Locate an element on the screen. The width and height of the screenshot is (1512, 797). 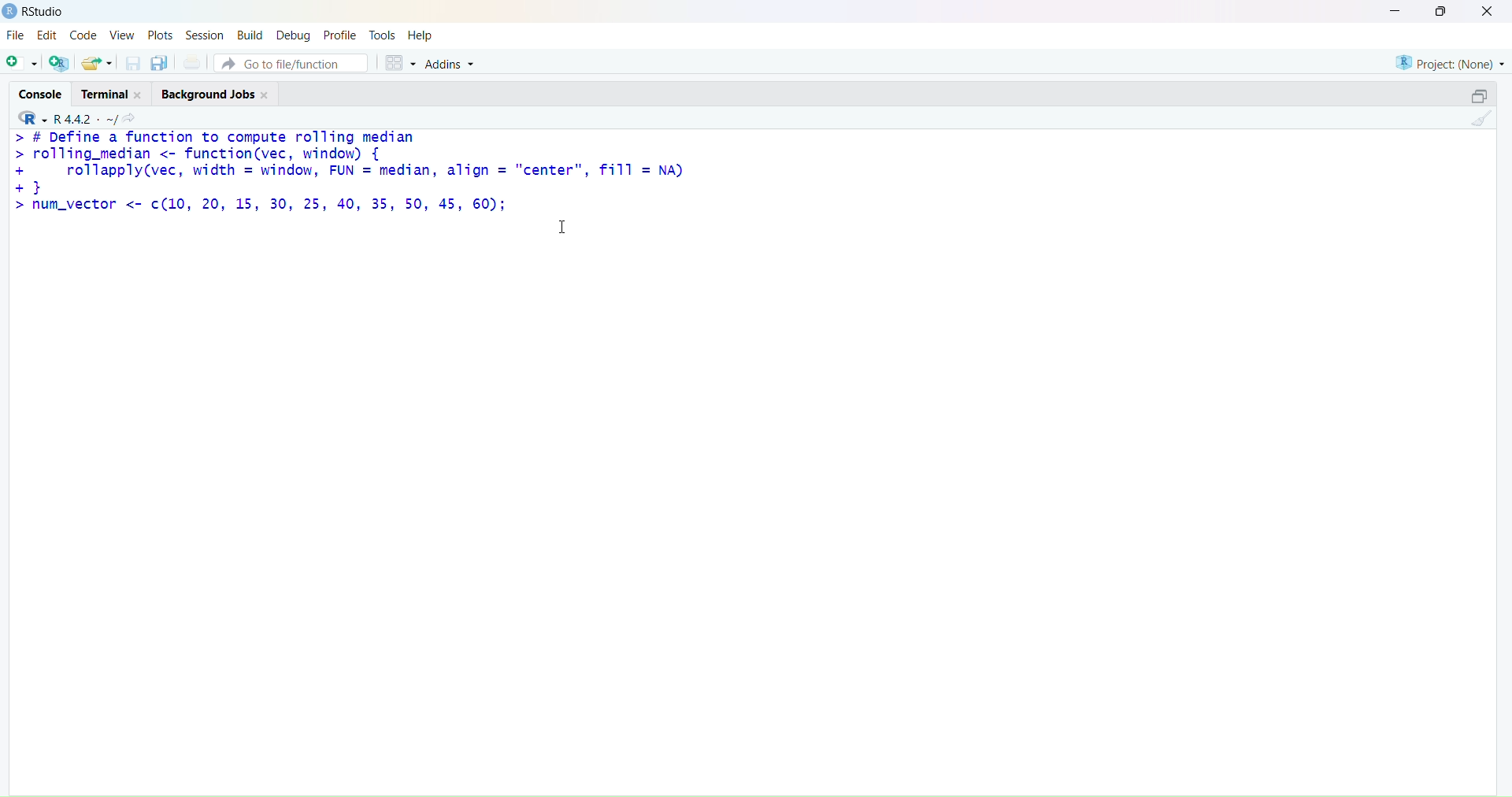
terminal is located at coordinates (104, 95).